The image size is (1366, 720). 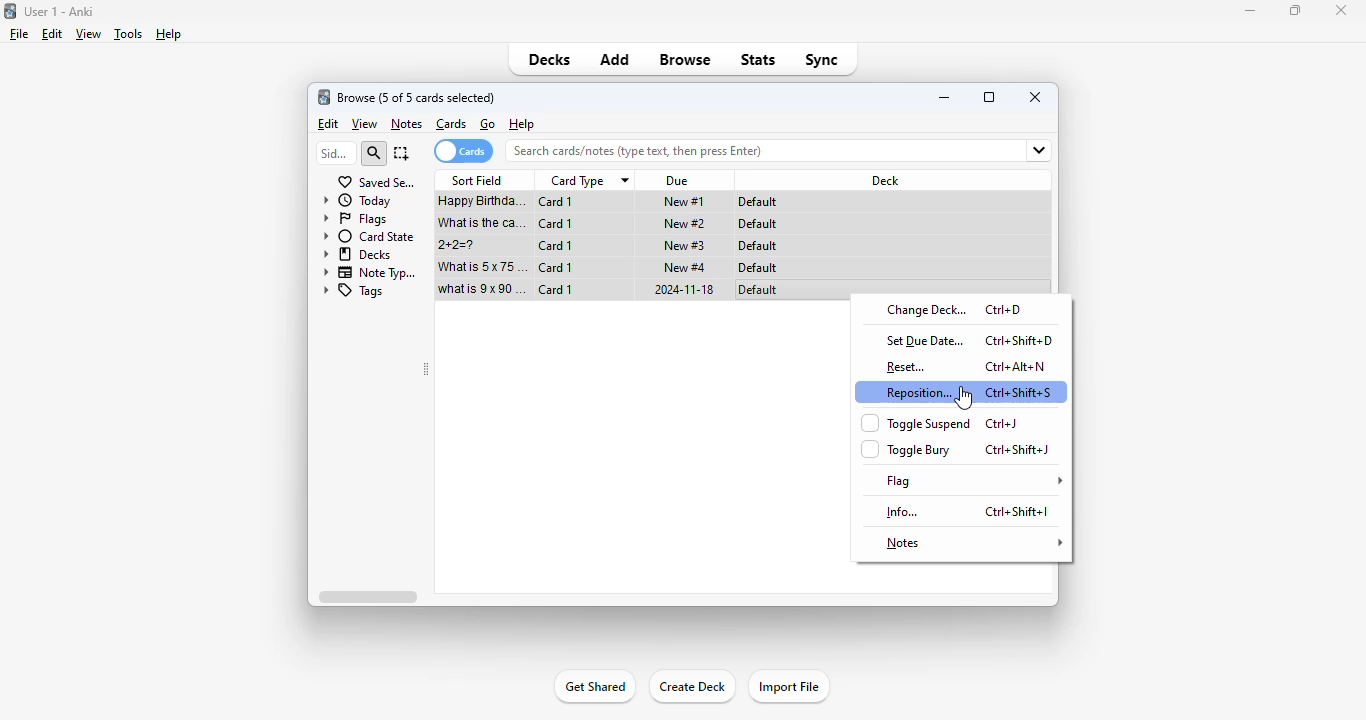 I want to click on card 1, so click(x=555, y=246).